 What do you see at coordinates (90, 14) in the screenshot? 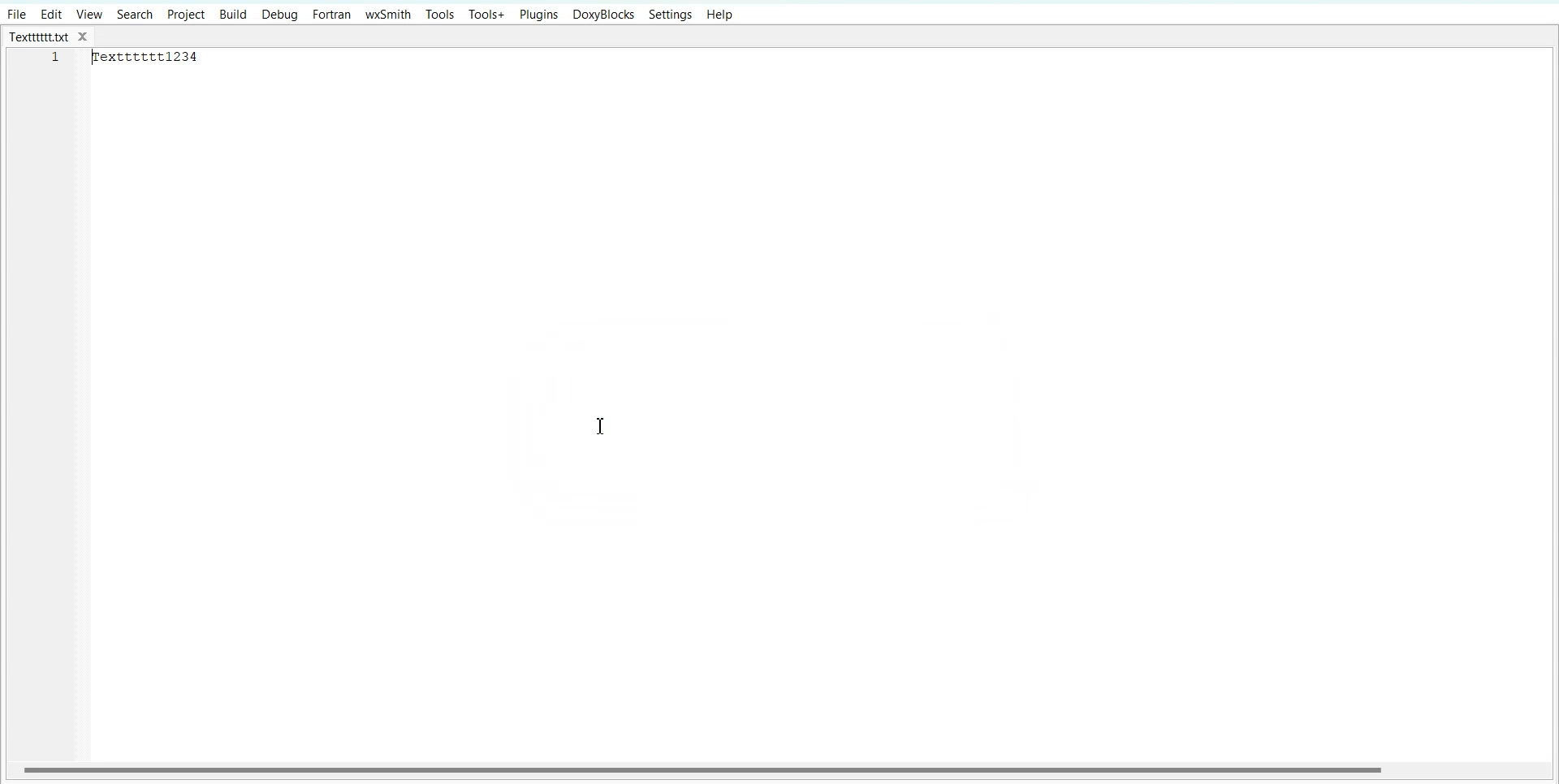
I see `View` at bounding box center [90, 14].